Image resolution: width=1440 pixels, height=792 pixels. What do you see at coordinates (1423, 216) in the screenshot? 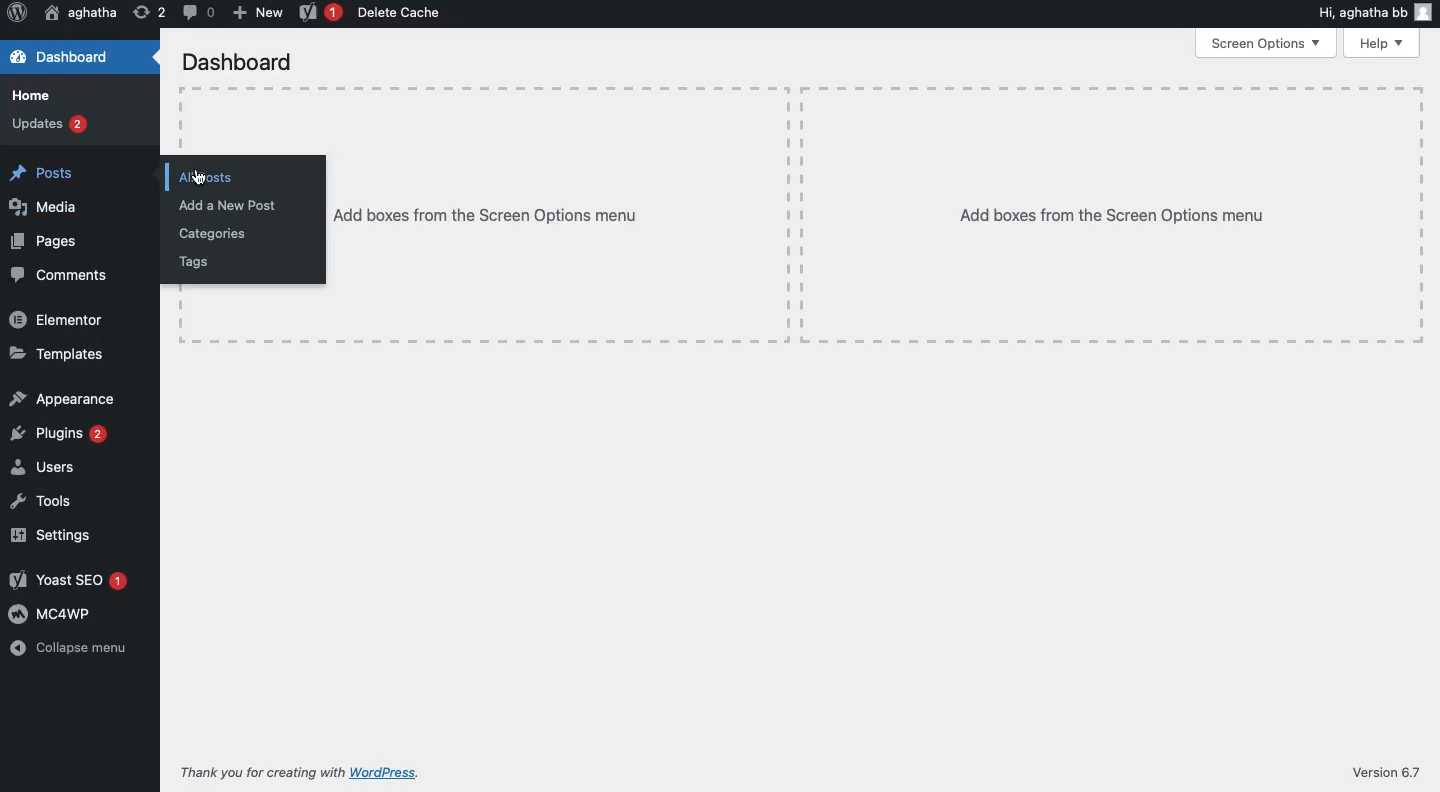
I see `Table line` at bounding box center [1423, 216].